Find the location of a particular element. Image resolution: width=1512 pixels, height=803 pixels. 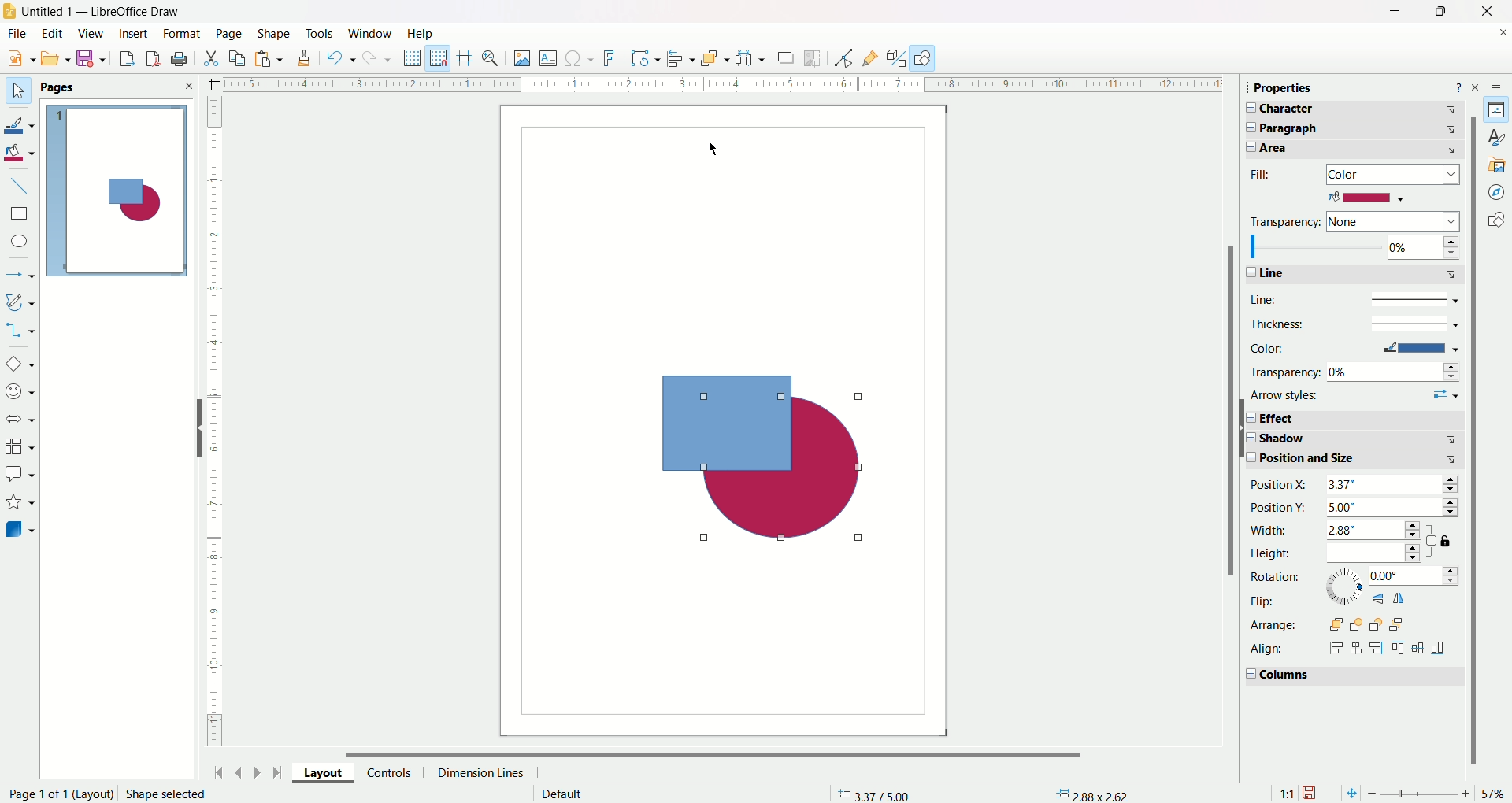

display grid is located at coordinates (413, 59).